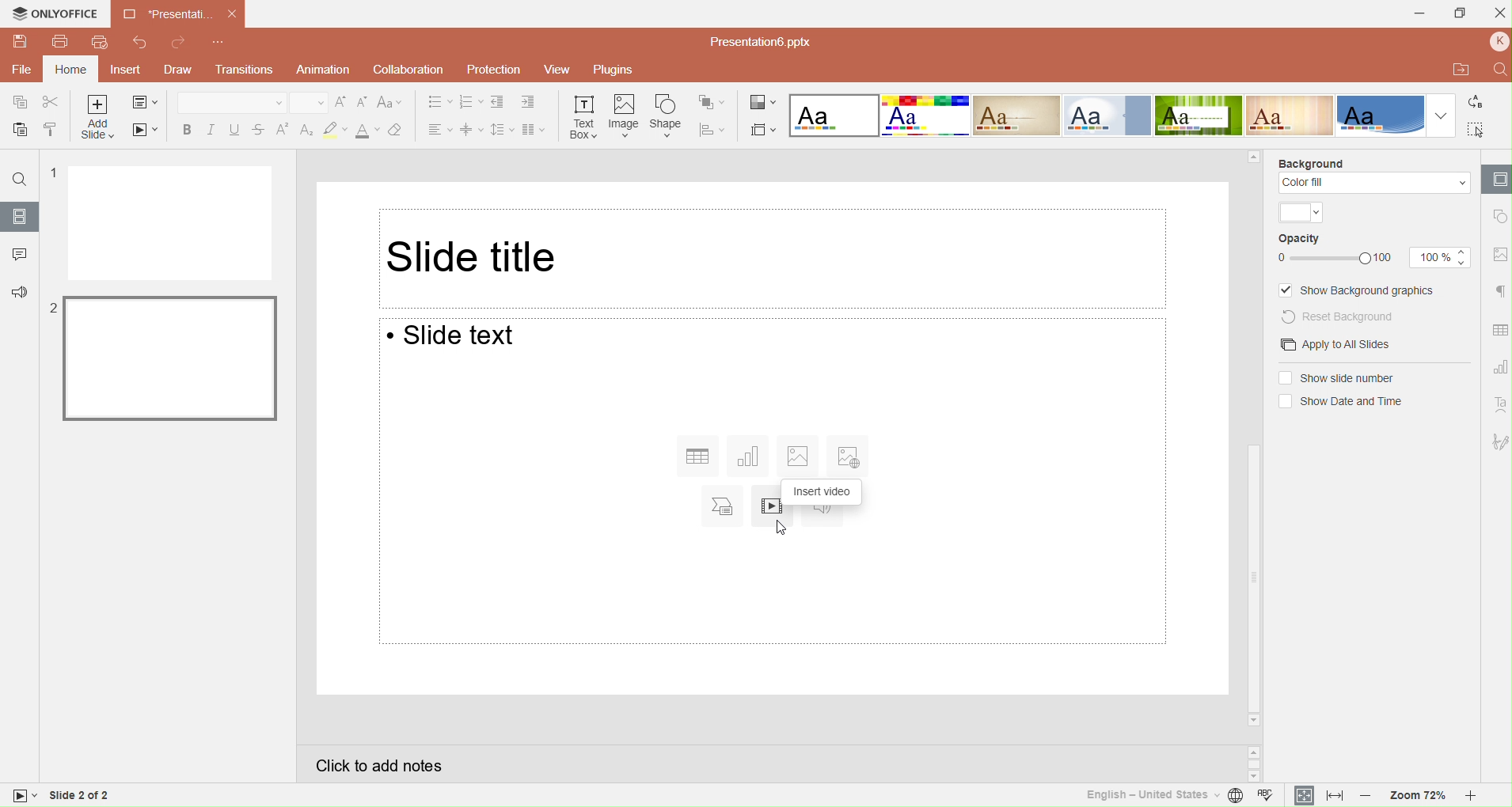  What do you see at coordinates (123, 70) in the screenshot?
I see `Insert` at bounding box center [123, 70].